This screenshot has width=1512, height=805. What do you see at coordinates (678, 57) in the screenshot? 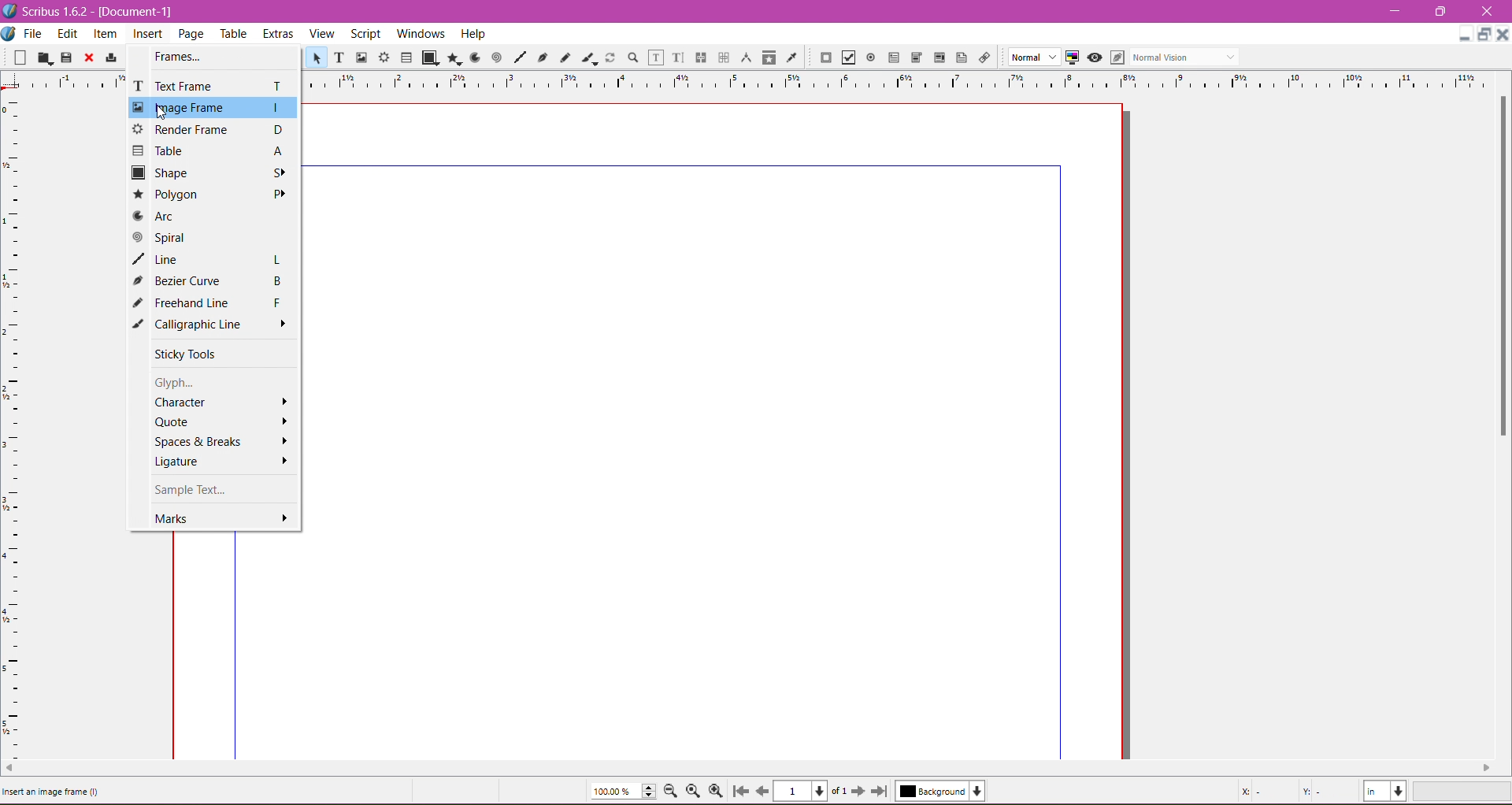
I see `Edit Text with Story Editor` at bounding box center [678, 57].